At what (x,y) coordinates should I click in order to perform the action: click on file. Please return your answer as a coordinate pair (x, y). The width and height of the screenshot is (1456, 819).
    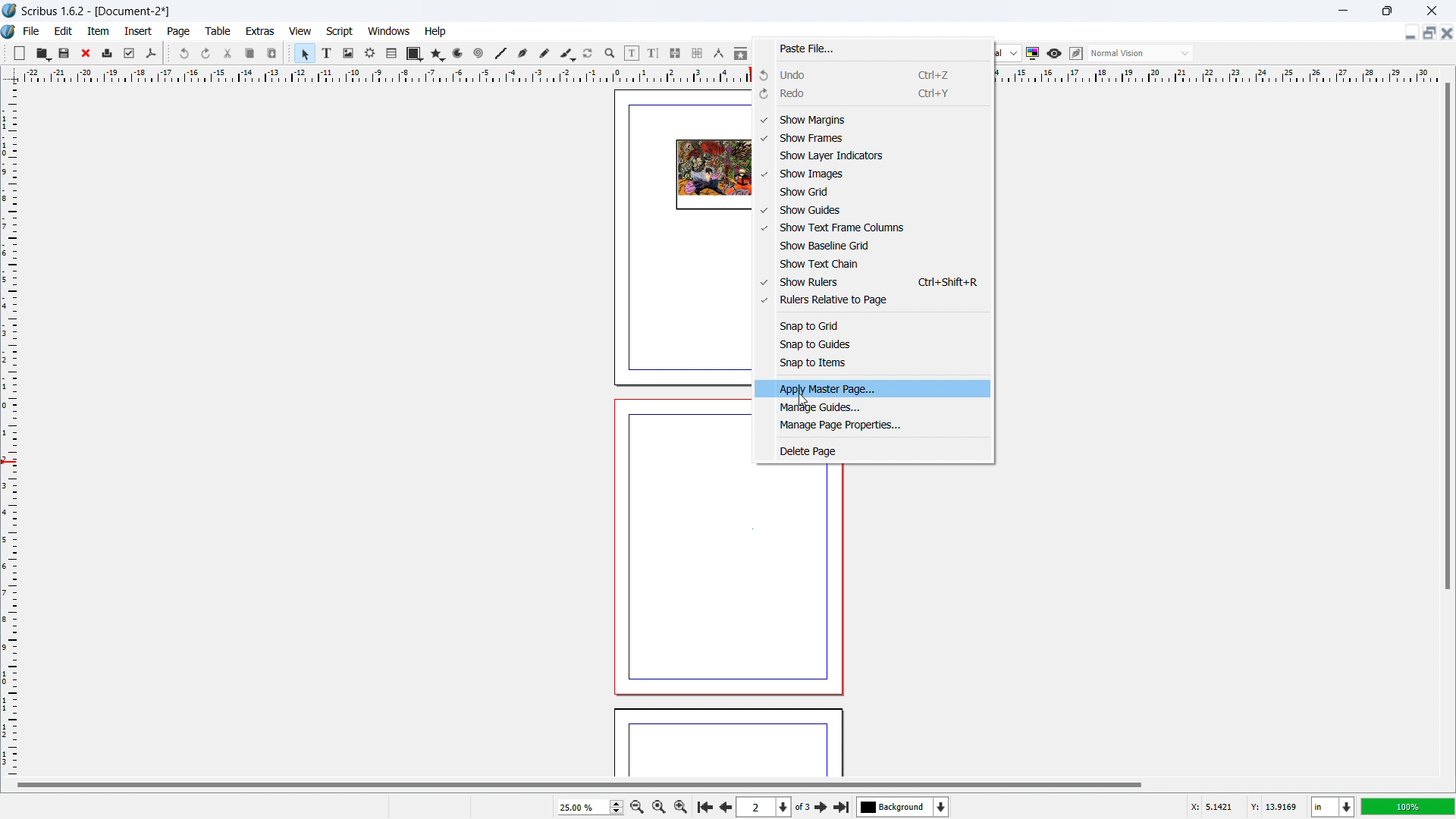
    Looking at the image, I should click on (30, 31).